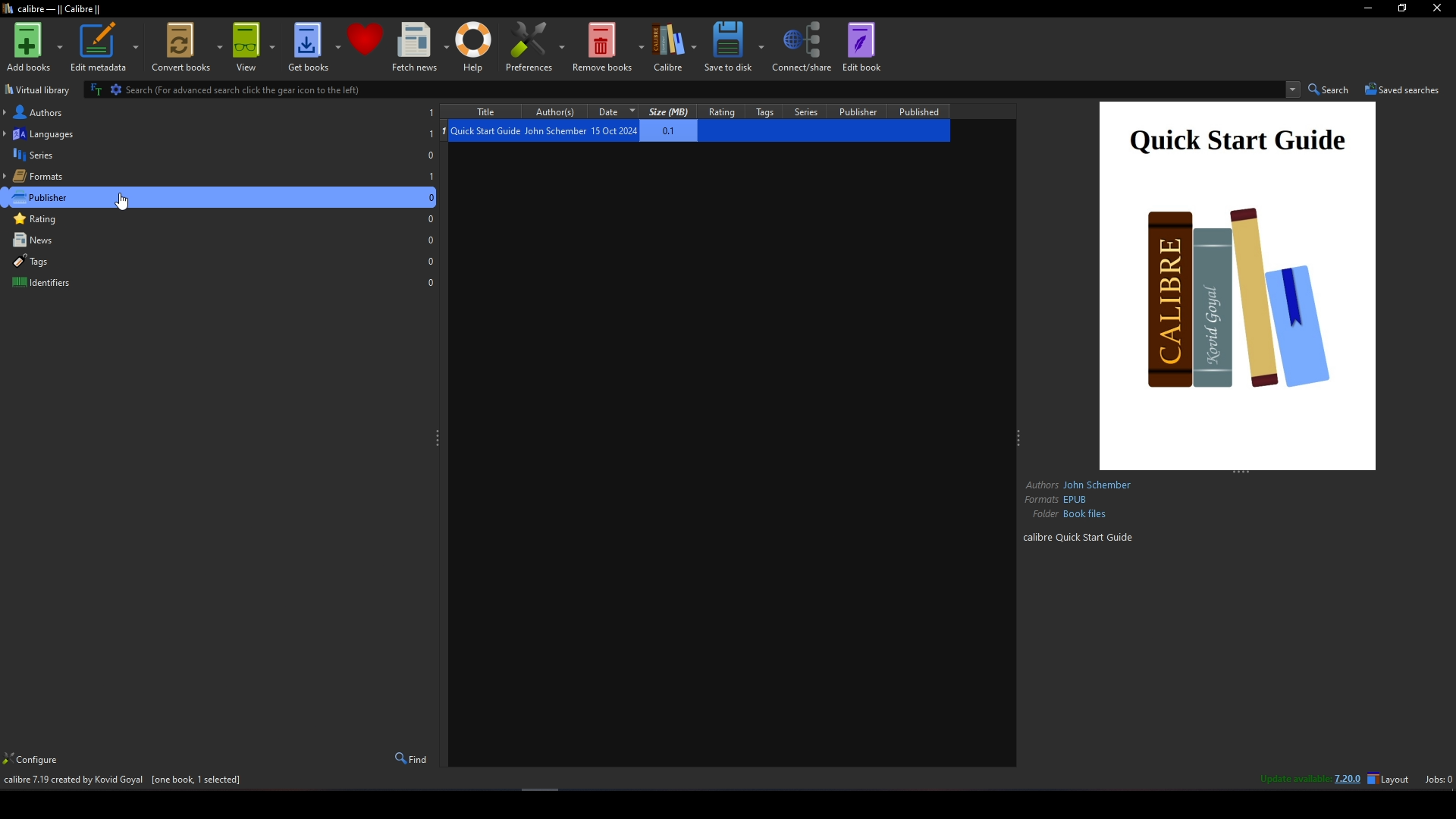 The width and height of the screenshot is (1456, 819). What do you see at coordinates (221, 219) in the screenshot?
I see `Rating` at bounding box center [221, 219].